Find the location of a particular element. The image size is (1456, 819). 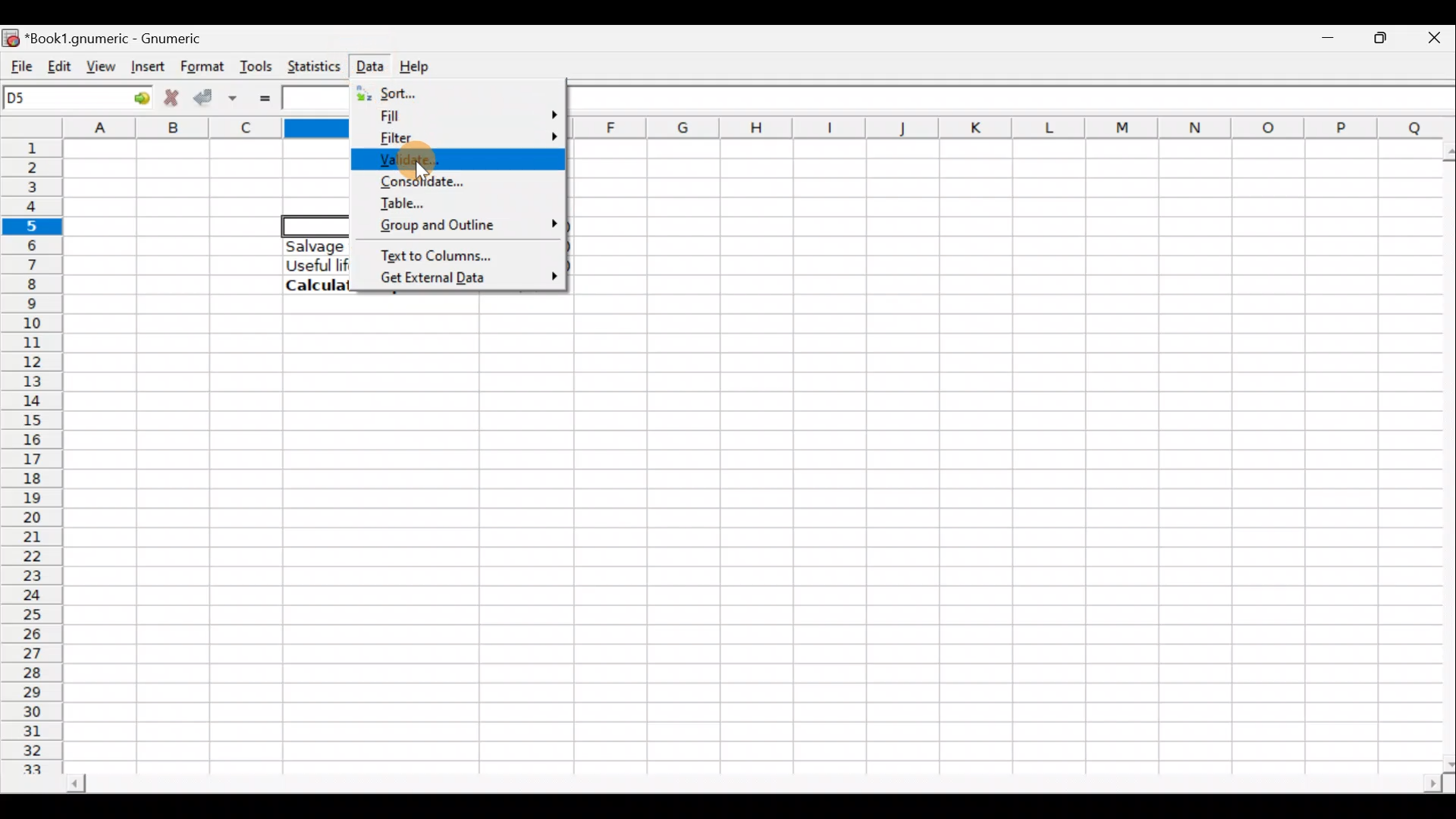

Sort is located at coordinates (452, 91).